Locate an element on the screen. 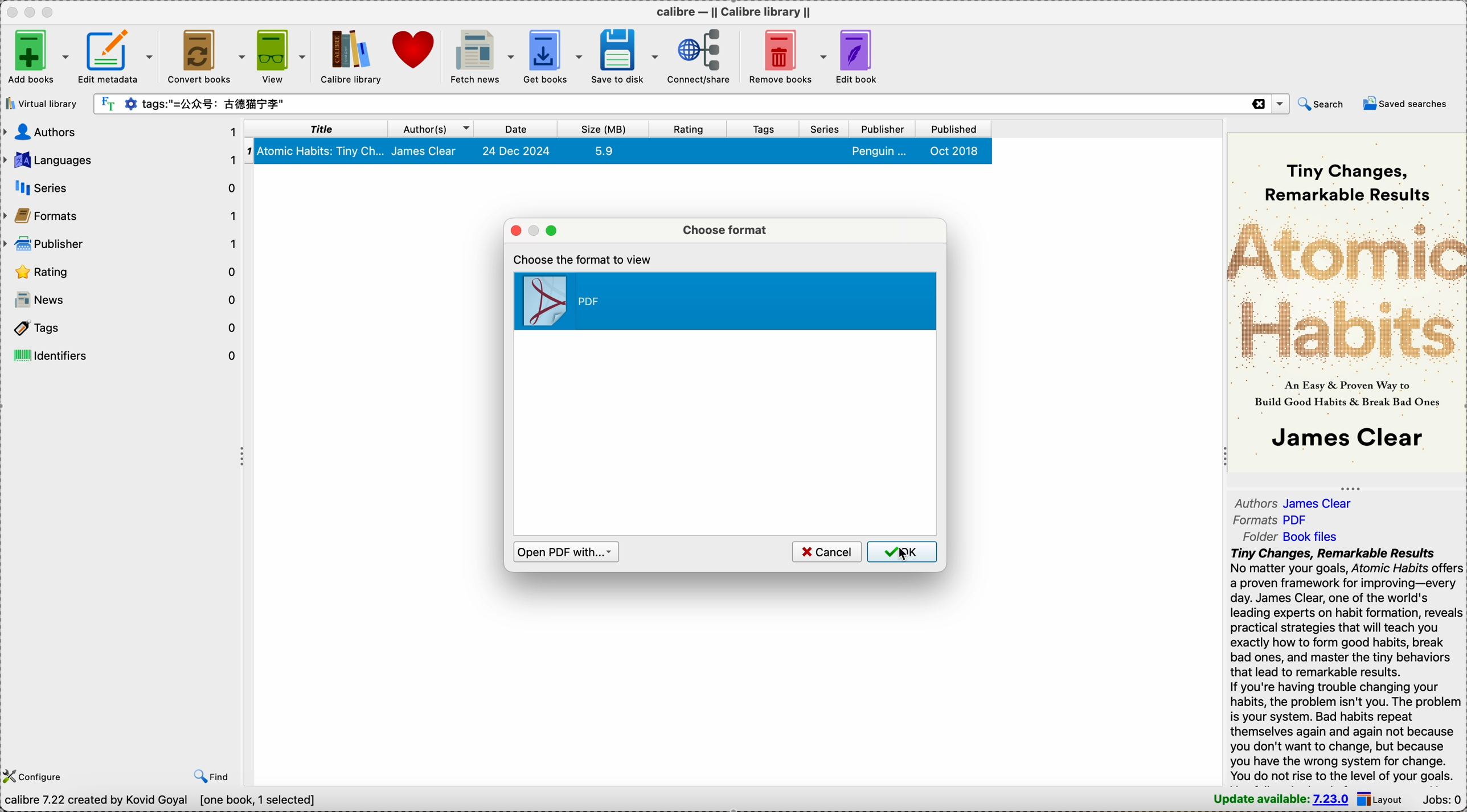 The image size is (1467, 812). view is located at coordinates (274, 56).